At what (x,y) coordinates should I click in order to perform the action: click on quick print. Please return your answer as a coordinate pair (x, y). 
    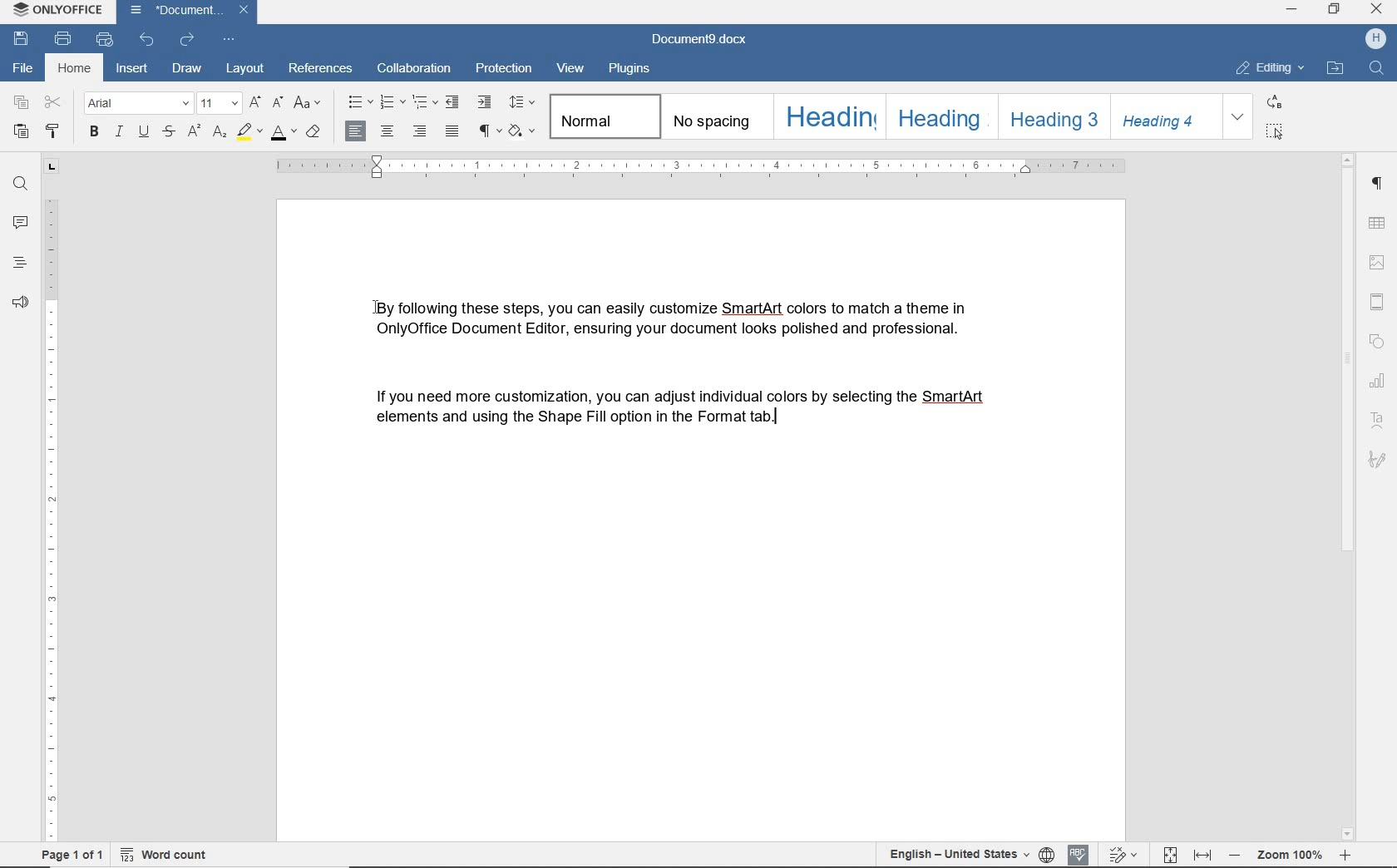
    Looking at the image, I should click on (106, 41).